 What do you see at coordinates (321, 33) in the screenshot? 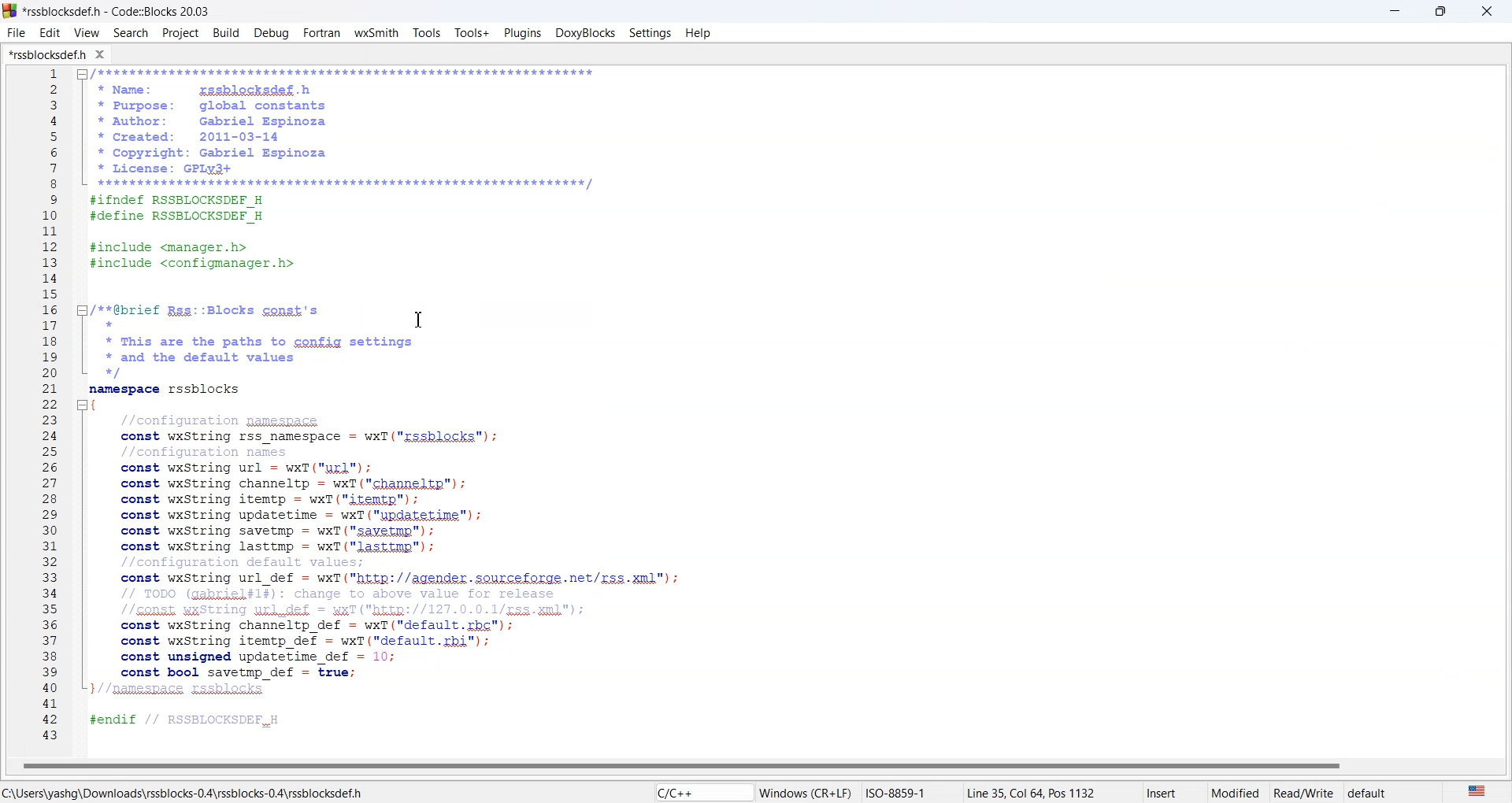
I see `Fortran` at bounding box center [321, 33].